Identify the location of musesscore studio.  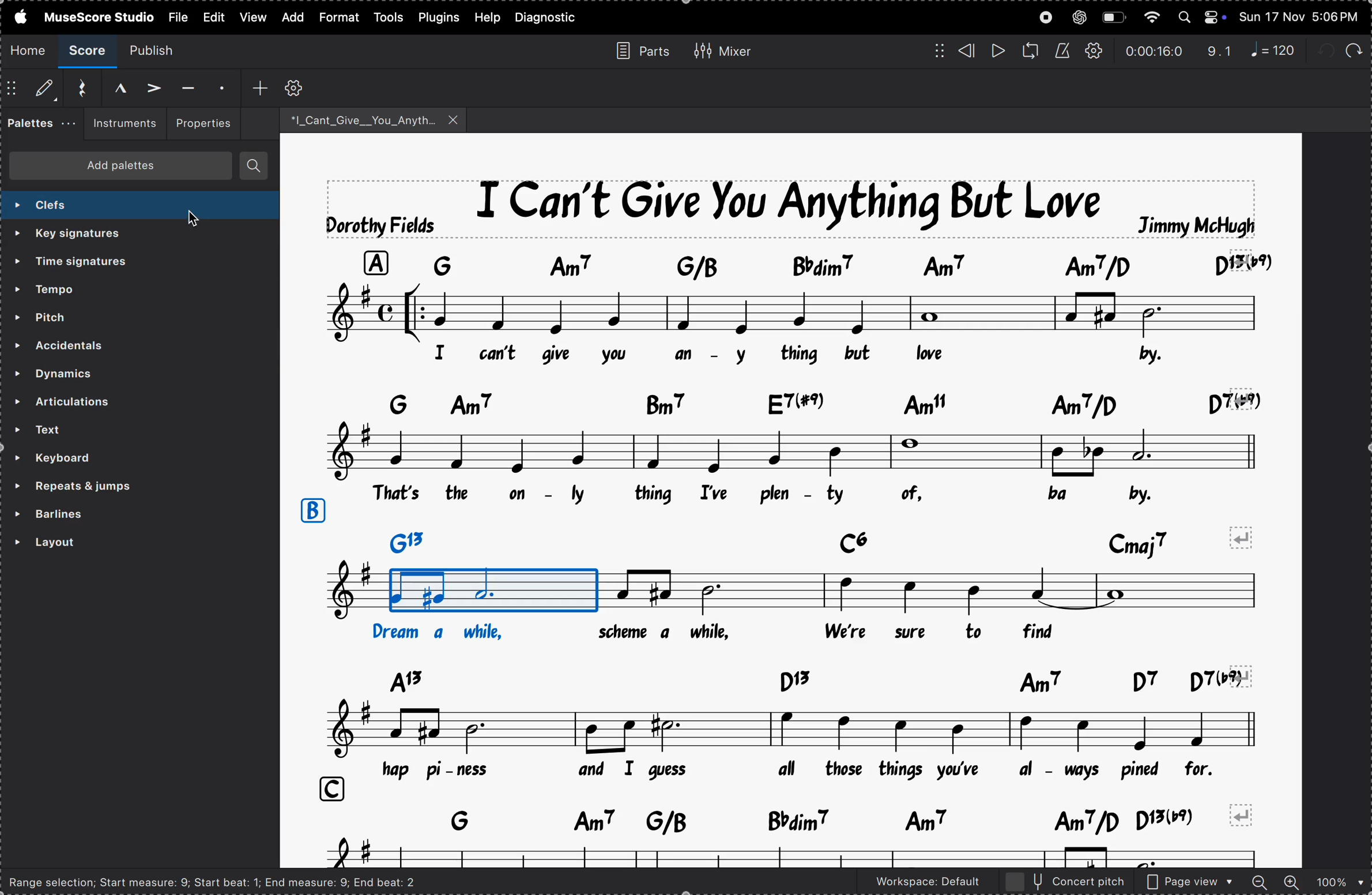
(98, 16).